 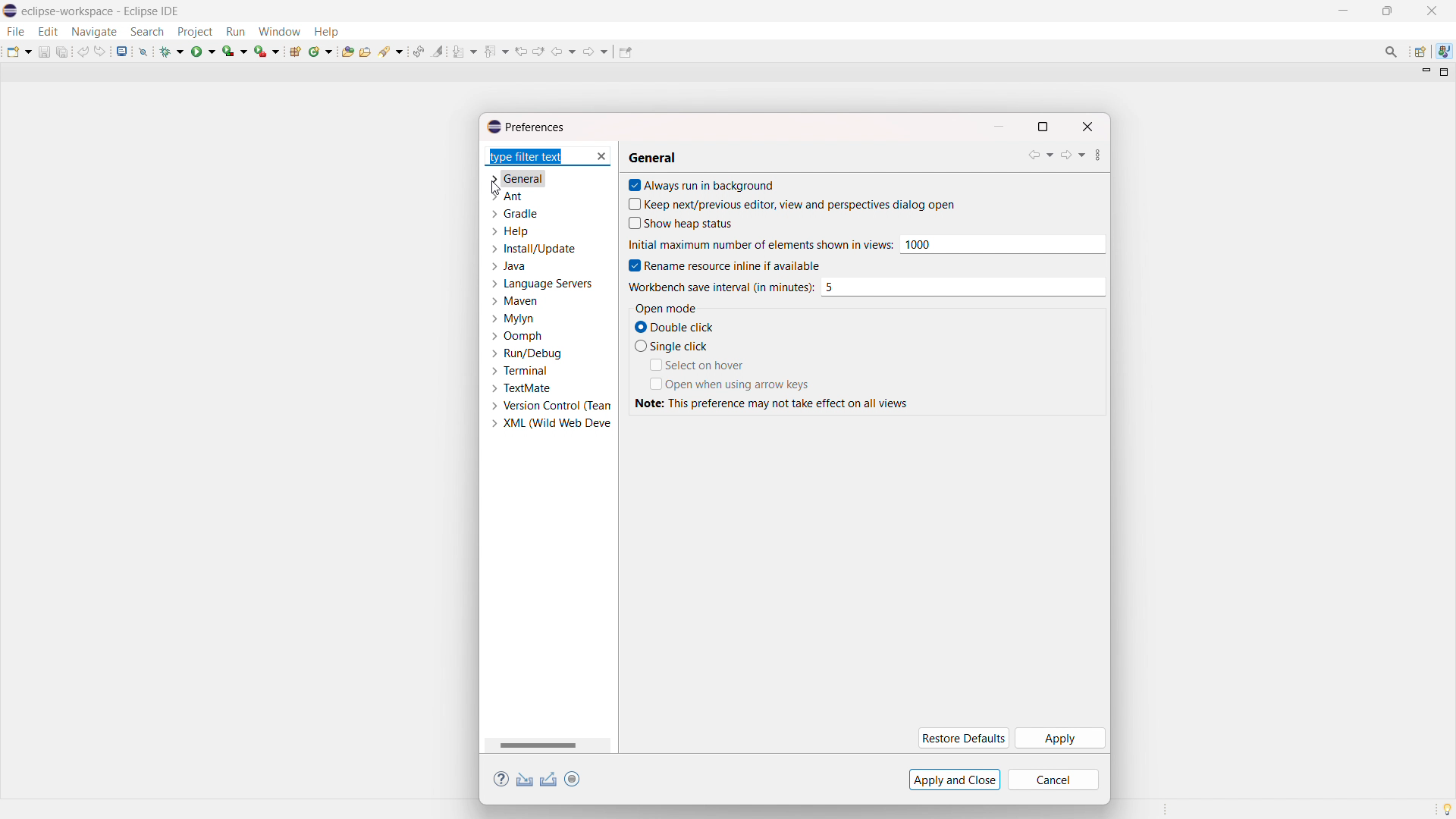 I want to click on logo, so click(x=11, y=11).